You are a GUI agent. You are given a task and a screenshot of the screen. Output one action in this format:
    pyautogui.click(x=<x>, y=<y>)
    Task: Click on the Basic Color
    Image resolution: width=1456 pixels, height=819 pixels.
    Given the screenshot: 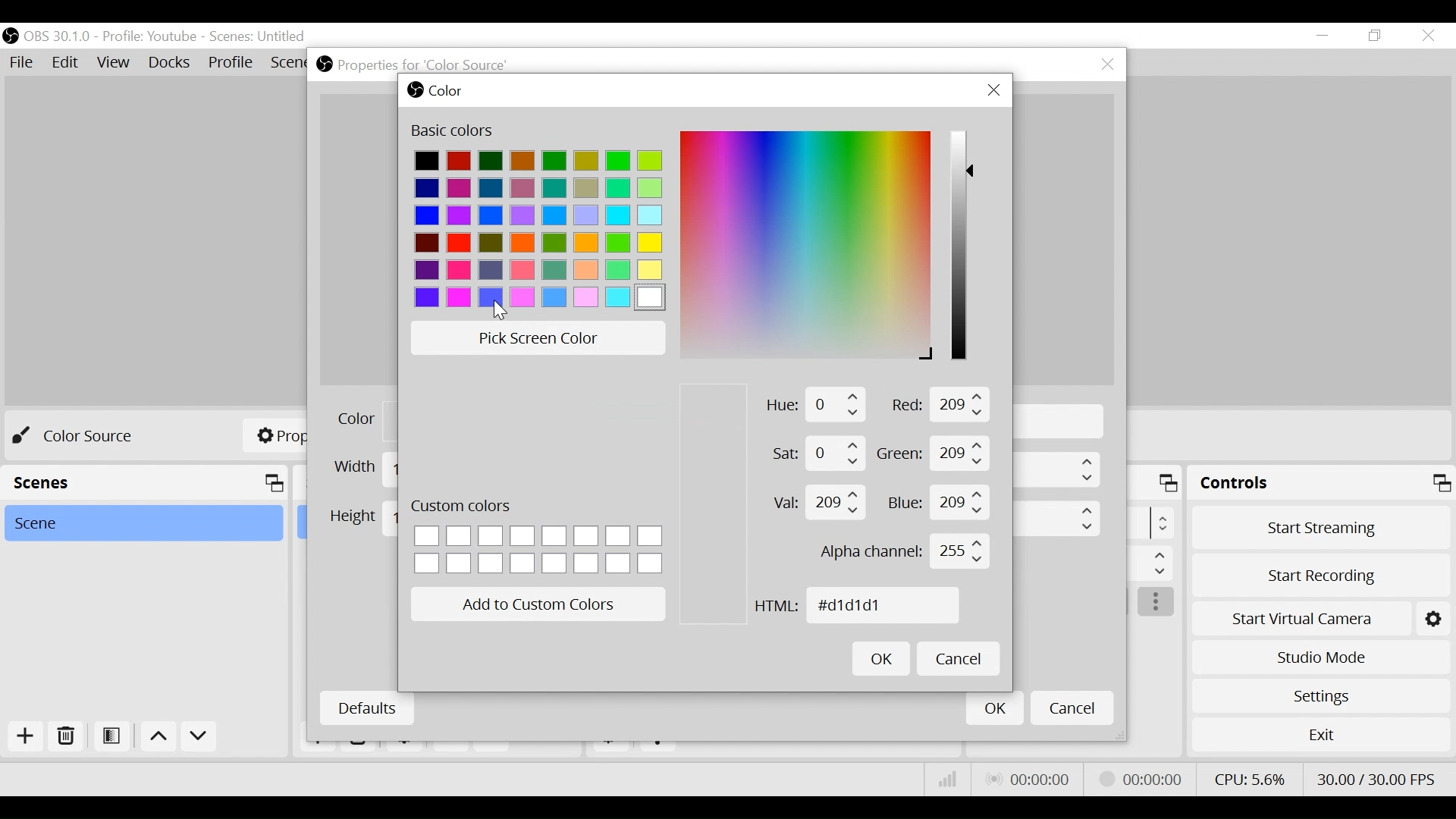 What is the action you would take?
    pyautogui.click(x=452, y=132)
    